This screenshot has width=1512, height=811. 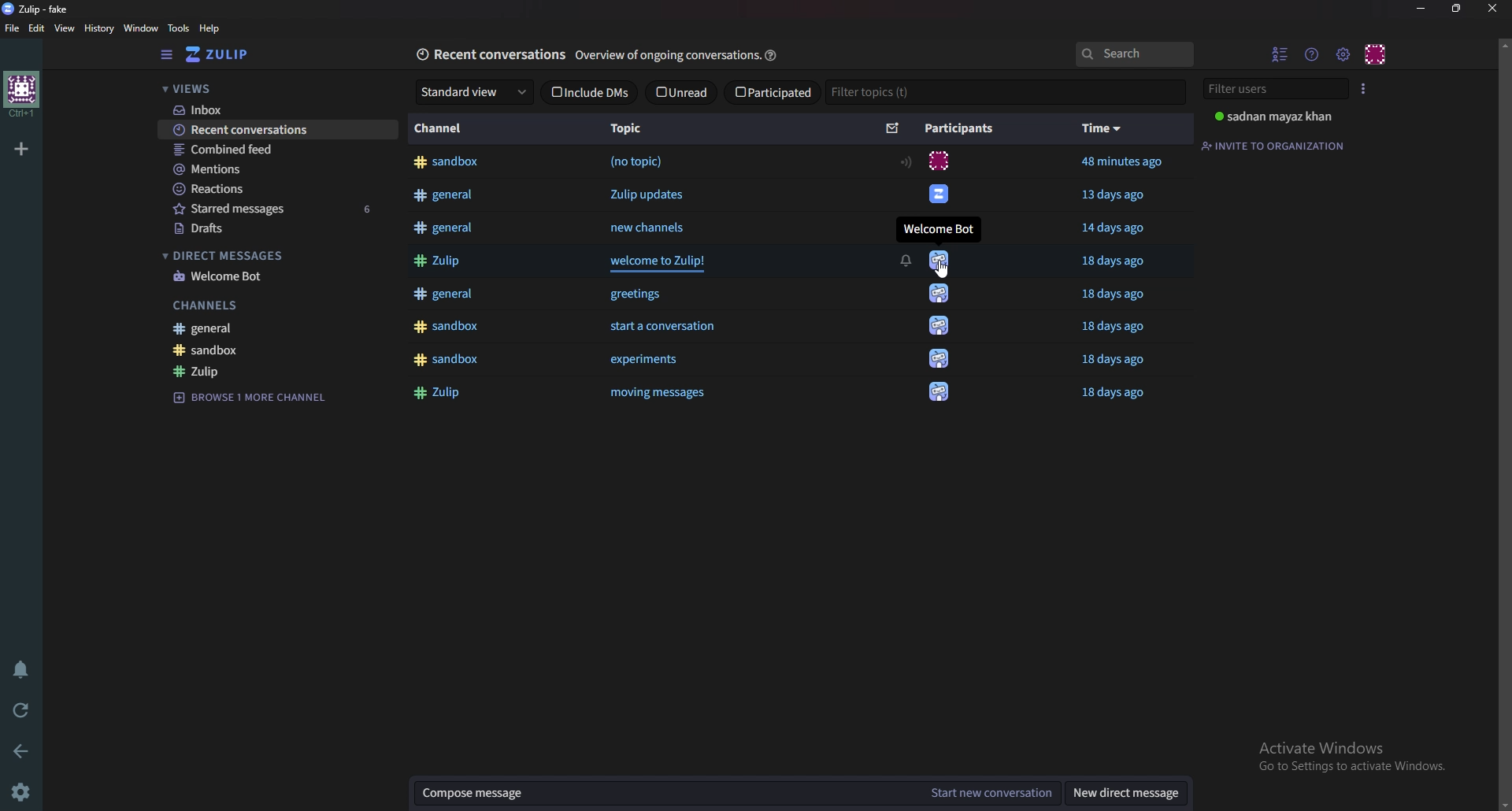 I want to click on #sandbox, so click(x=454, y=163).